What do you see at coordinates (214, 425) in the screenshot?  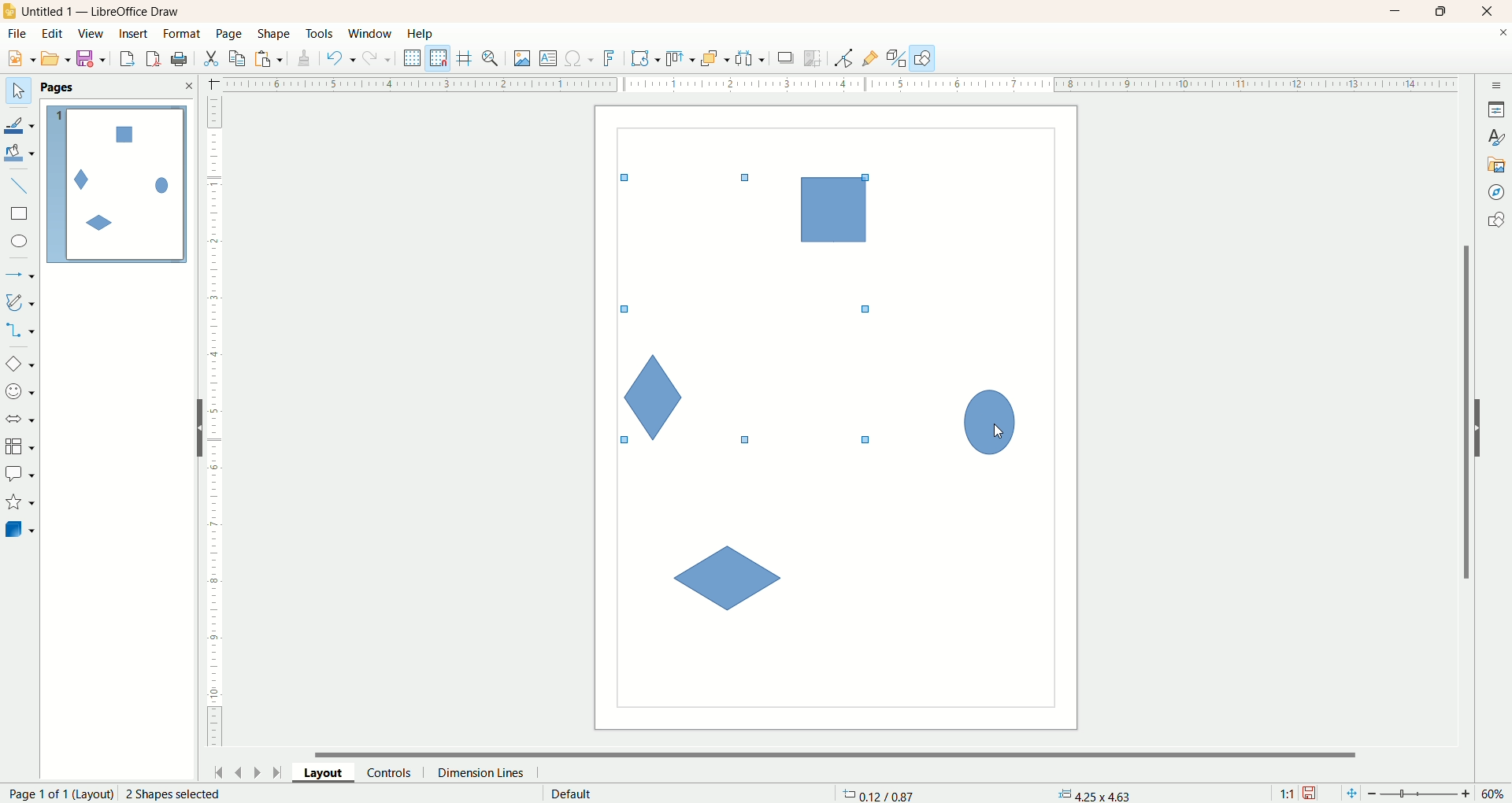 I see `scale bar` at bounding box center [214, 425].